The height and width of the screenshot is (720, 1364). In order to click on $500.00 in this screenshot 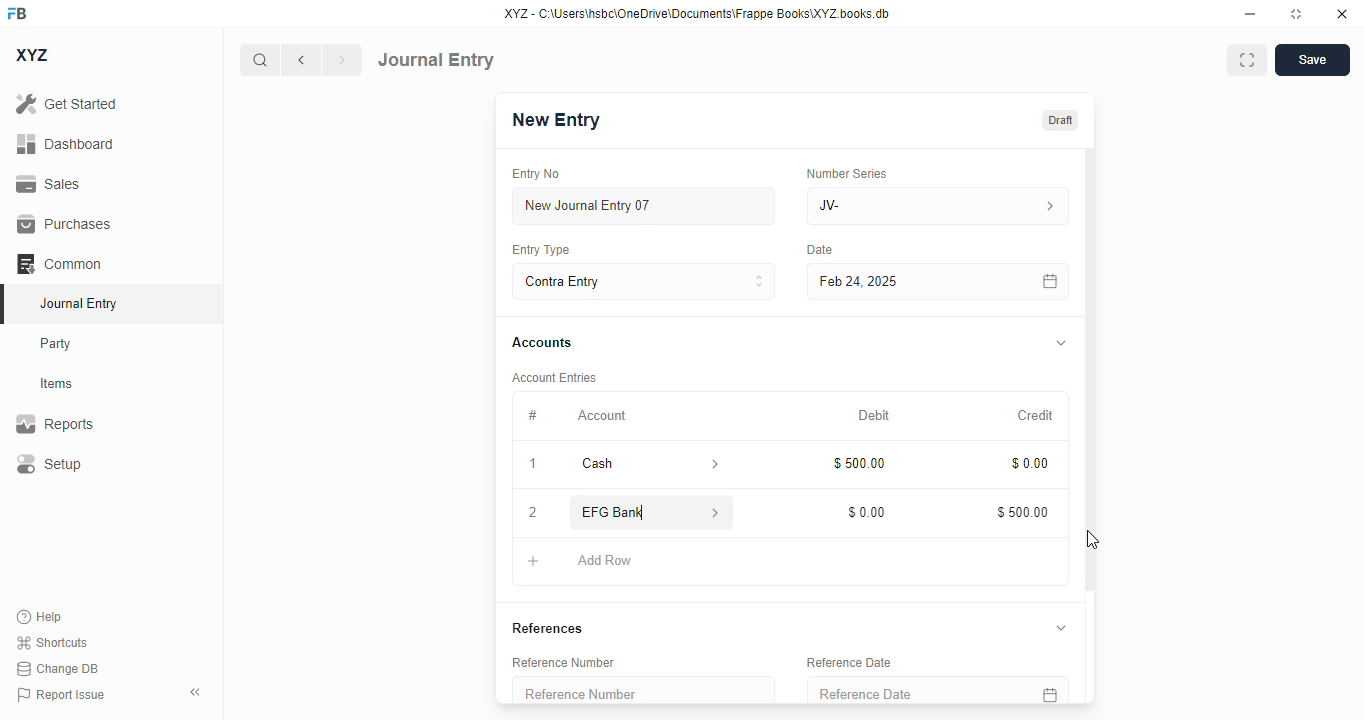, I will do `click(1024, 512)`.